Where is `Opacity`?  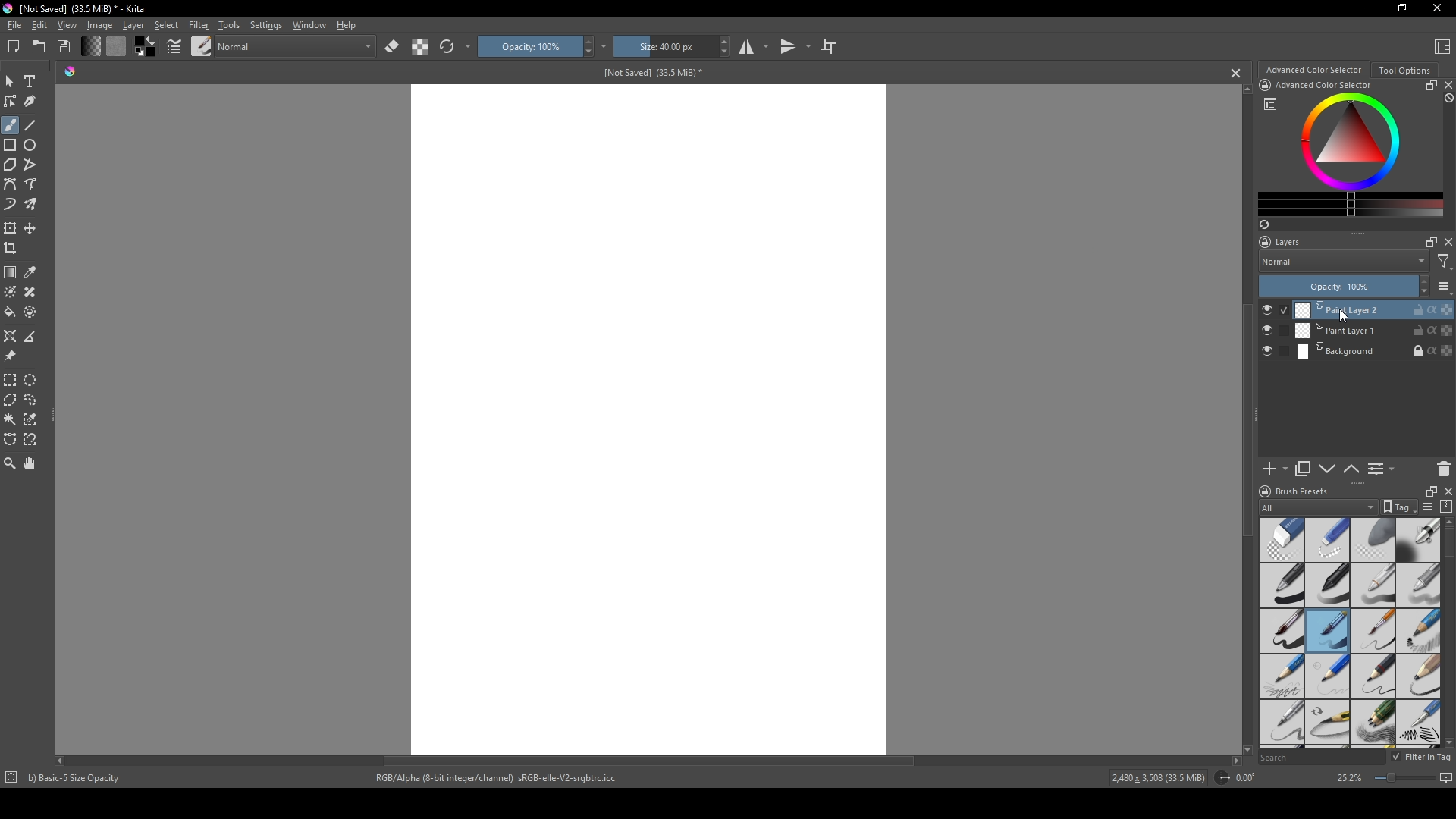 Opacity is located at coordinates (529, 46).